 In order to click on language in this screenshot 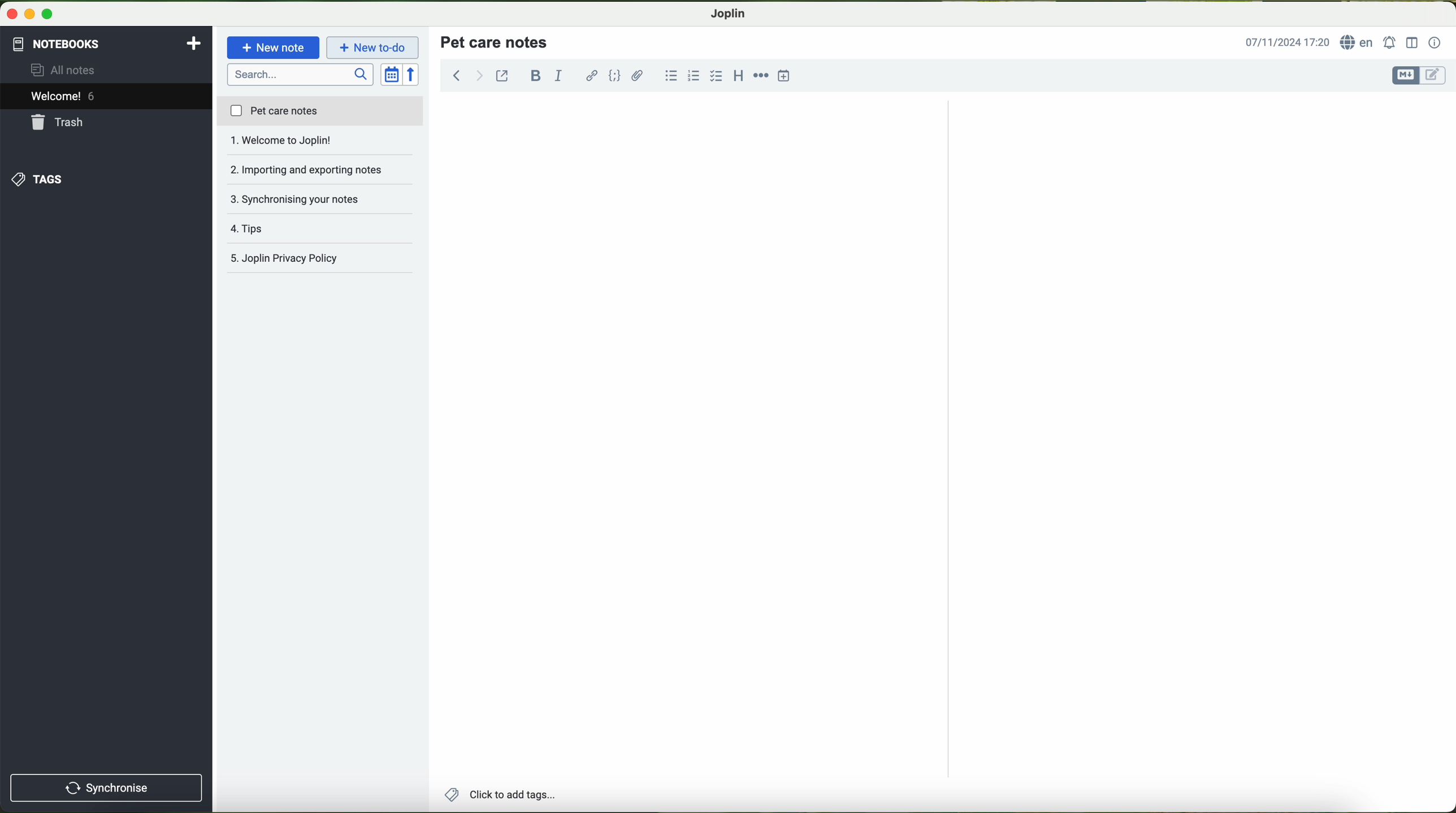, I will do `click(1359, 43)`.